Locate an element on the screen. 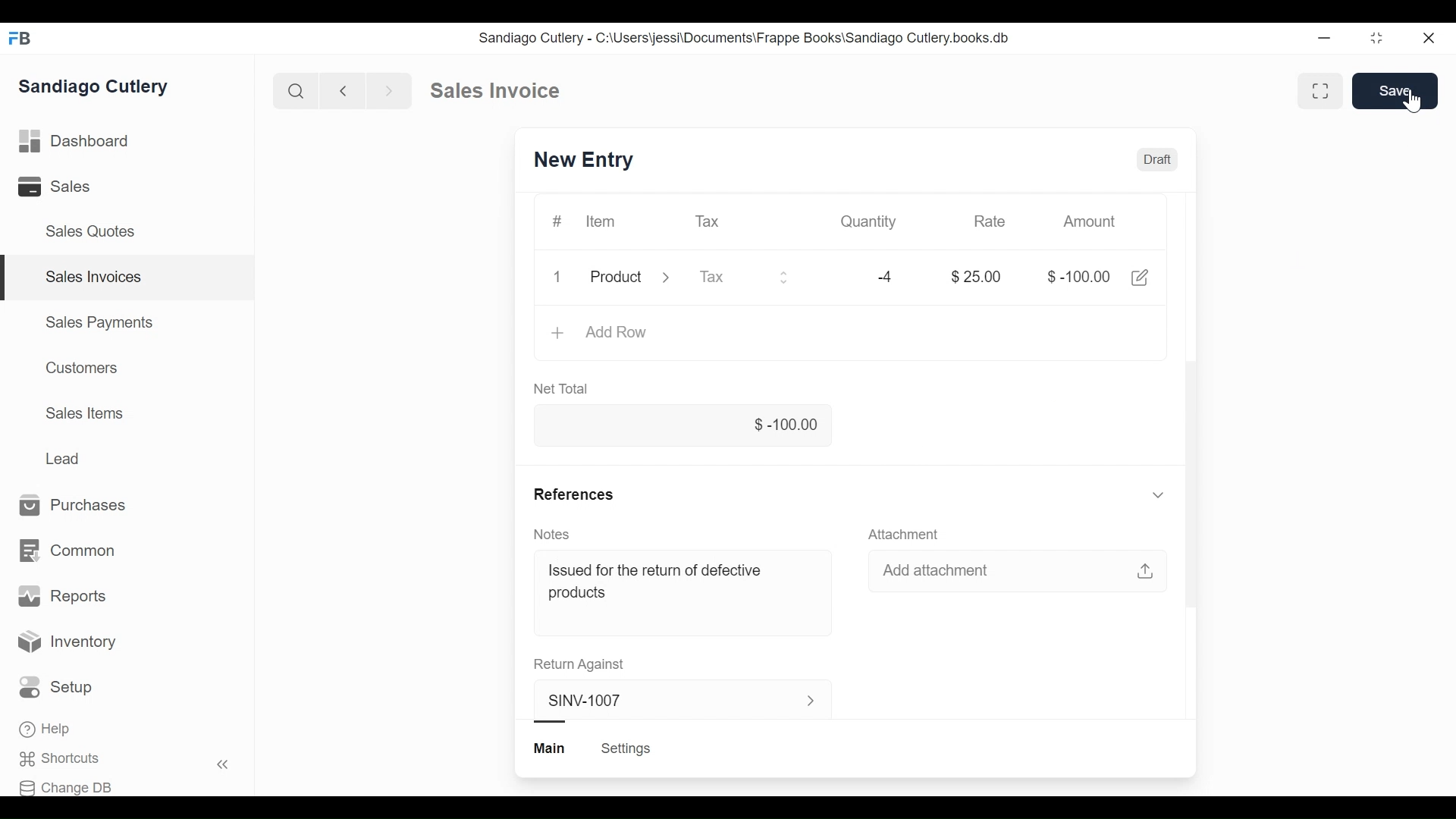 The image size is (1456, 819). Setup is located at coordinates (56, 687).